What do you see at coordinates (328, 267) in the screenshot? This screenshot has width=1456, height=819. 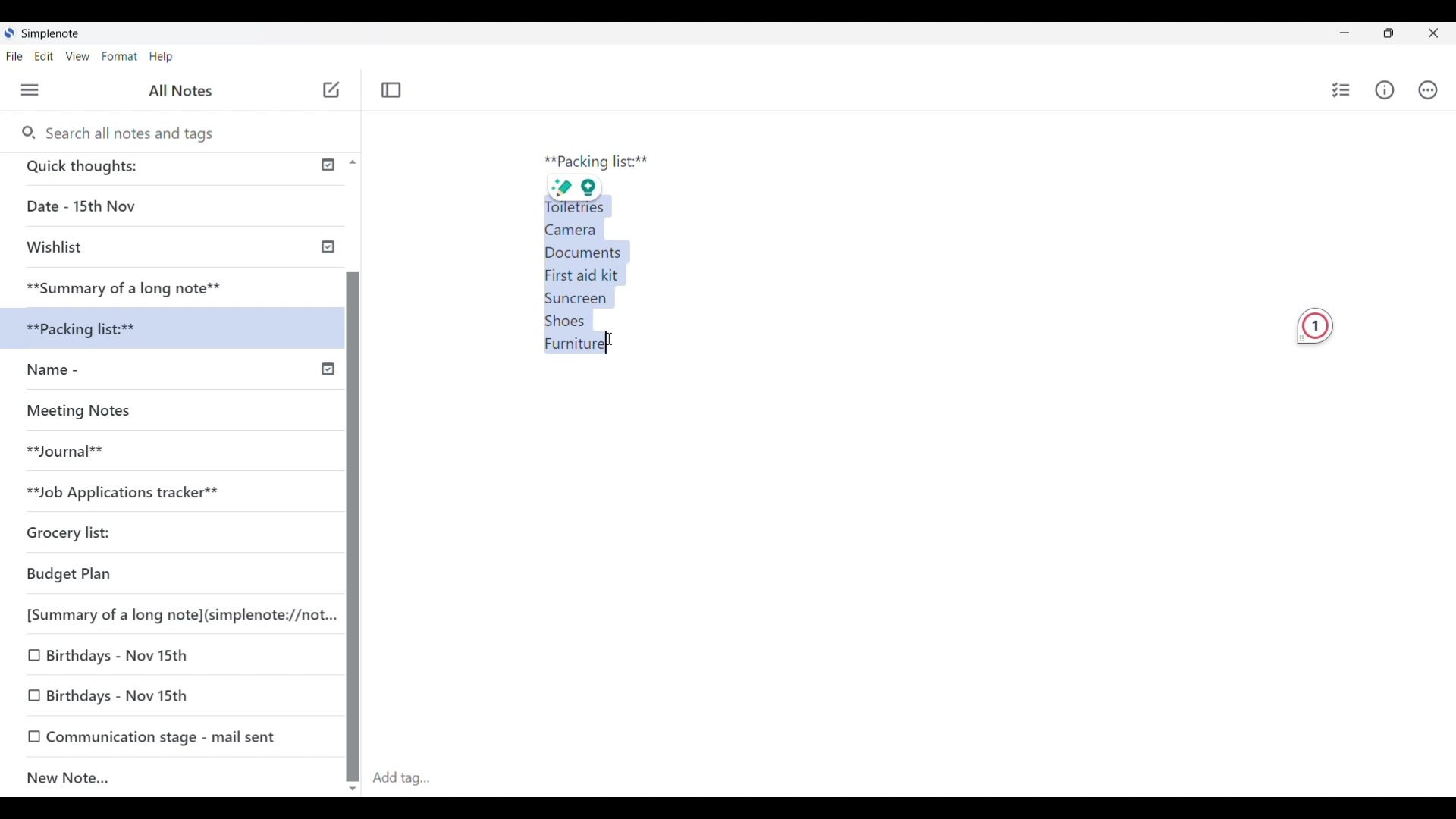 I see `Check icon indicating published notes` at bounding box center [328, 267].